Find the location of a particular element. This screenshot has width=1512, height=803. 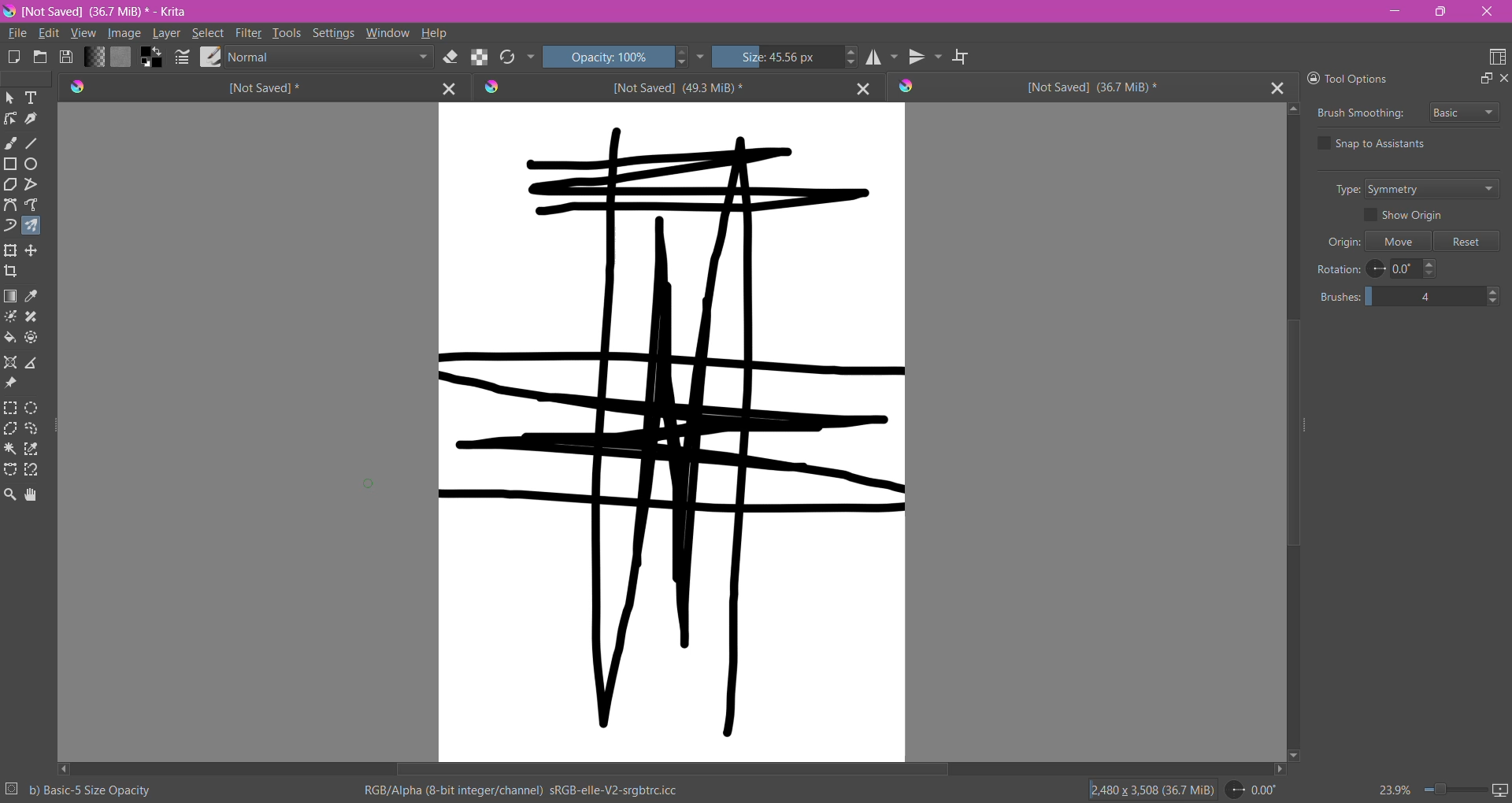

File Name, Size is located at coordinates (111, 12).